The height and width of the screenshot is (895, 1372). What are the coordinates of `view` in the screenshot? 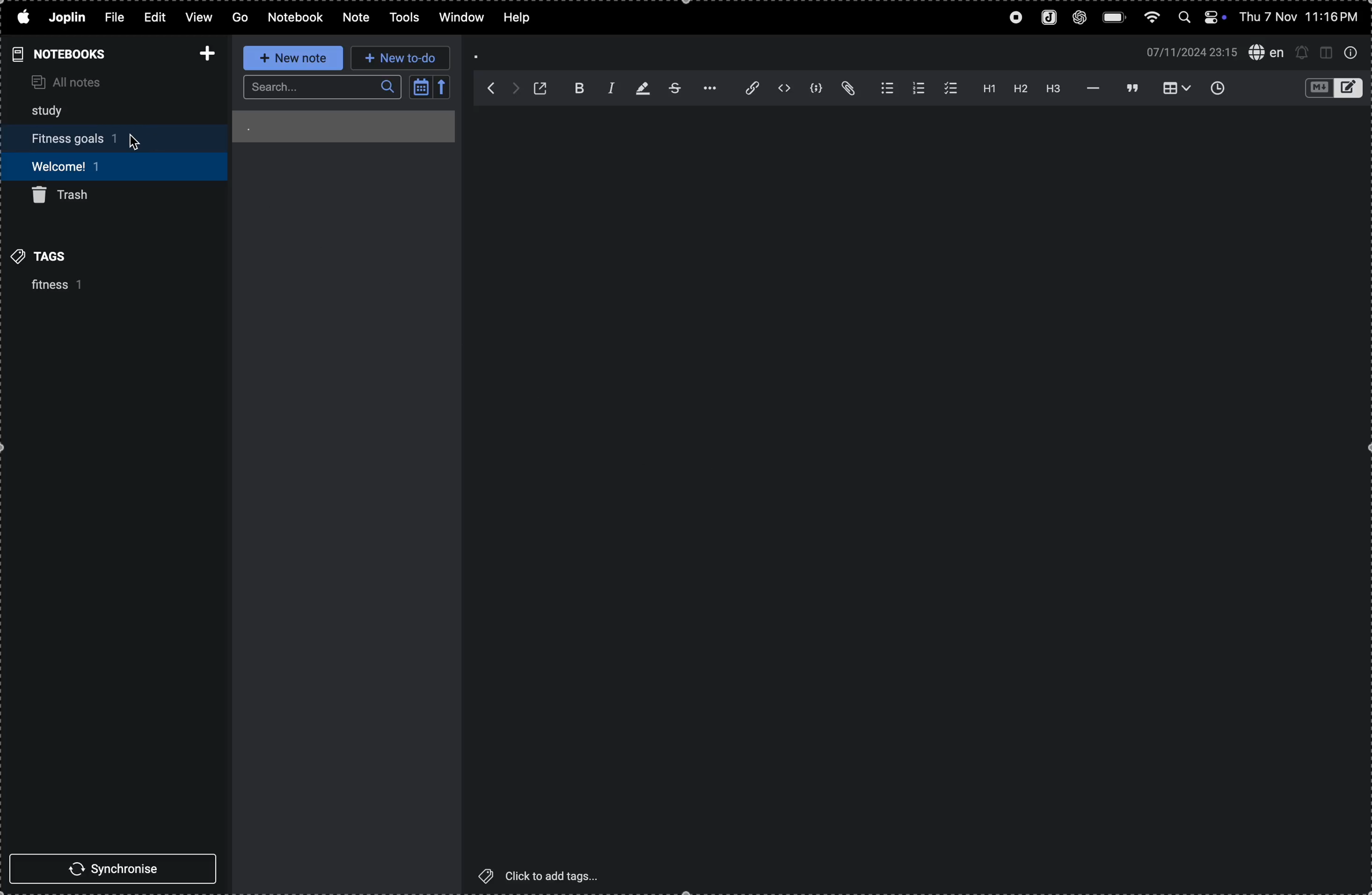 It's located at (199, 17).